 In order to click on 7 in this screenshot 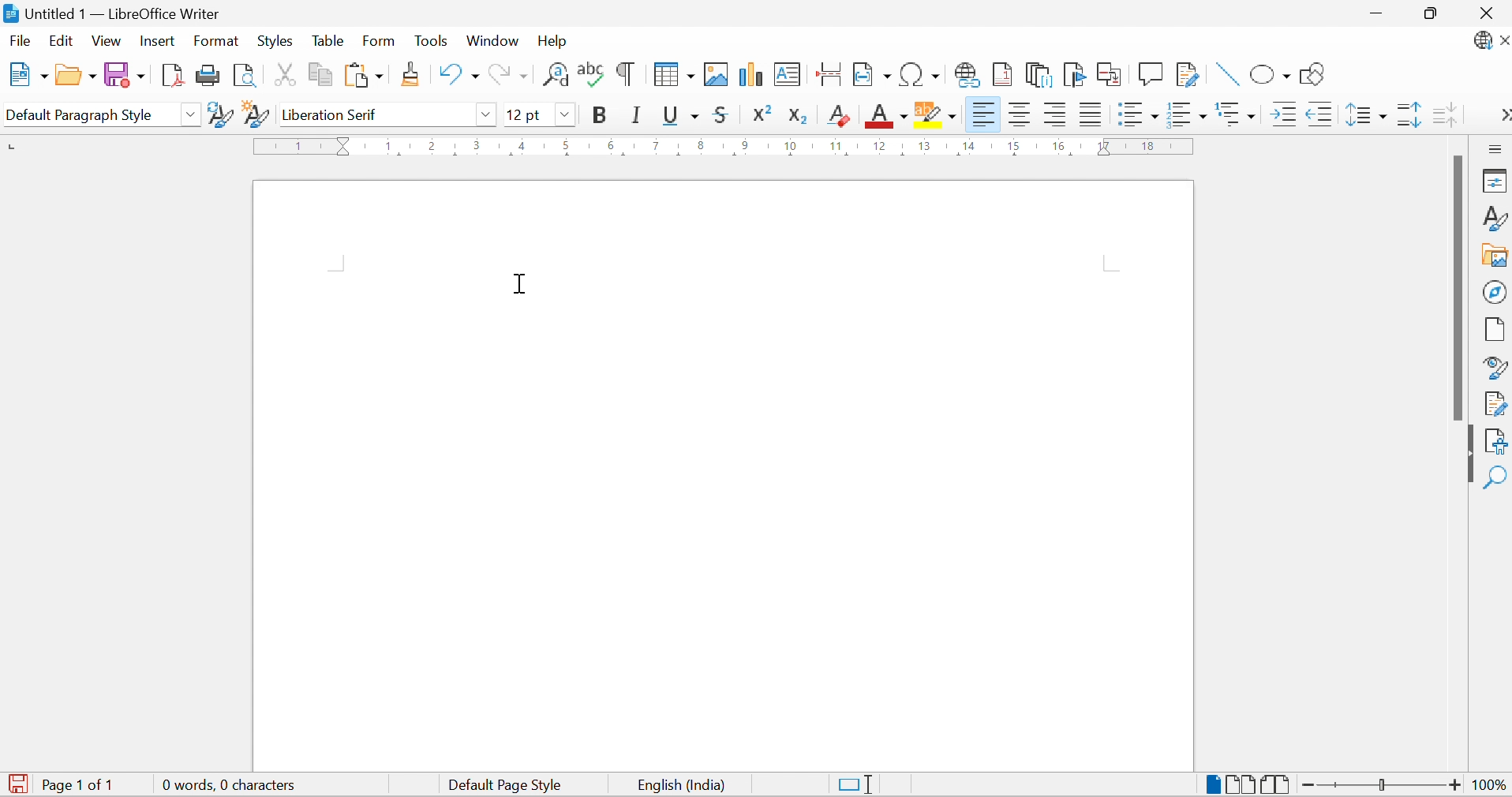, I will do `click(654, 146)`.